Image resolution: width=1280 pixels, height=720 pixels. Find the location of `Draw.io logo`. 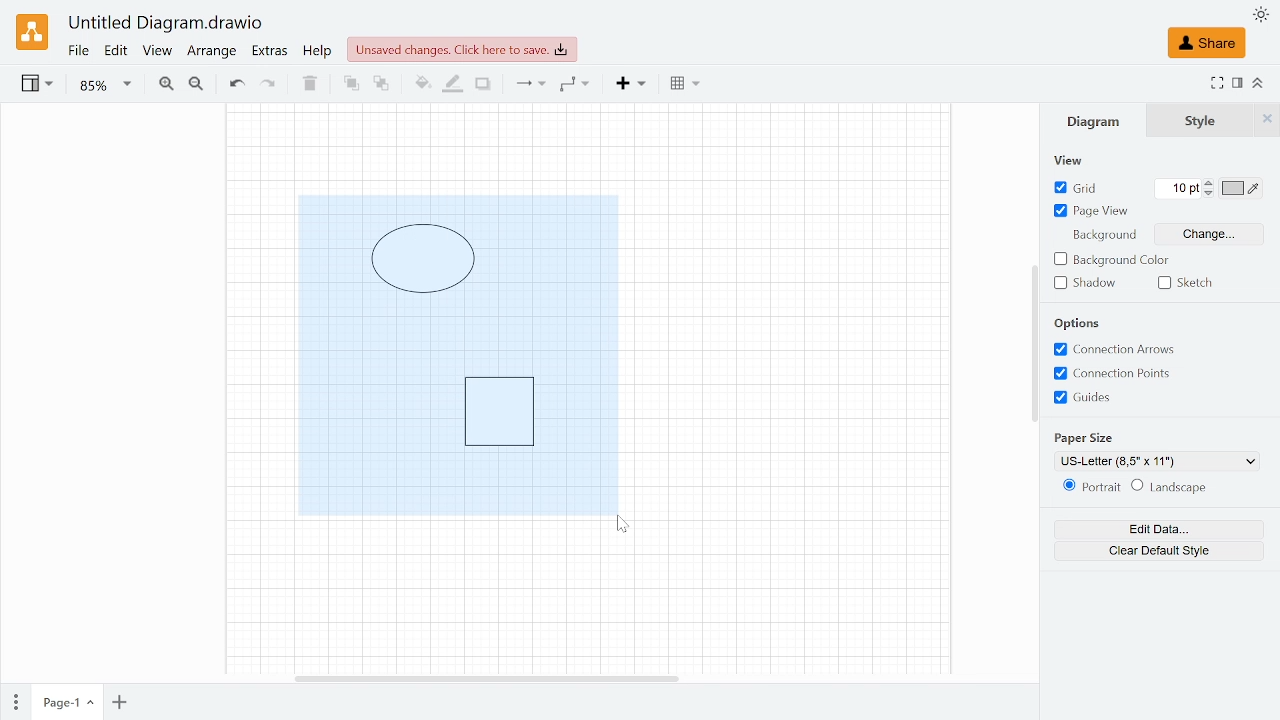

Draw.io logo is located at coordinates (32, 32).